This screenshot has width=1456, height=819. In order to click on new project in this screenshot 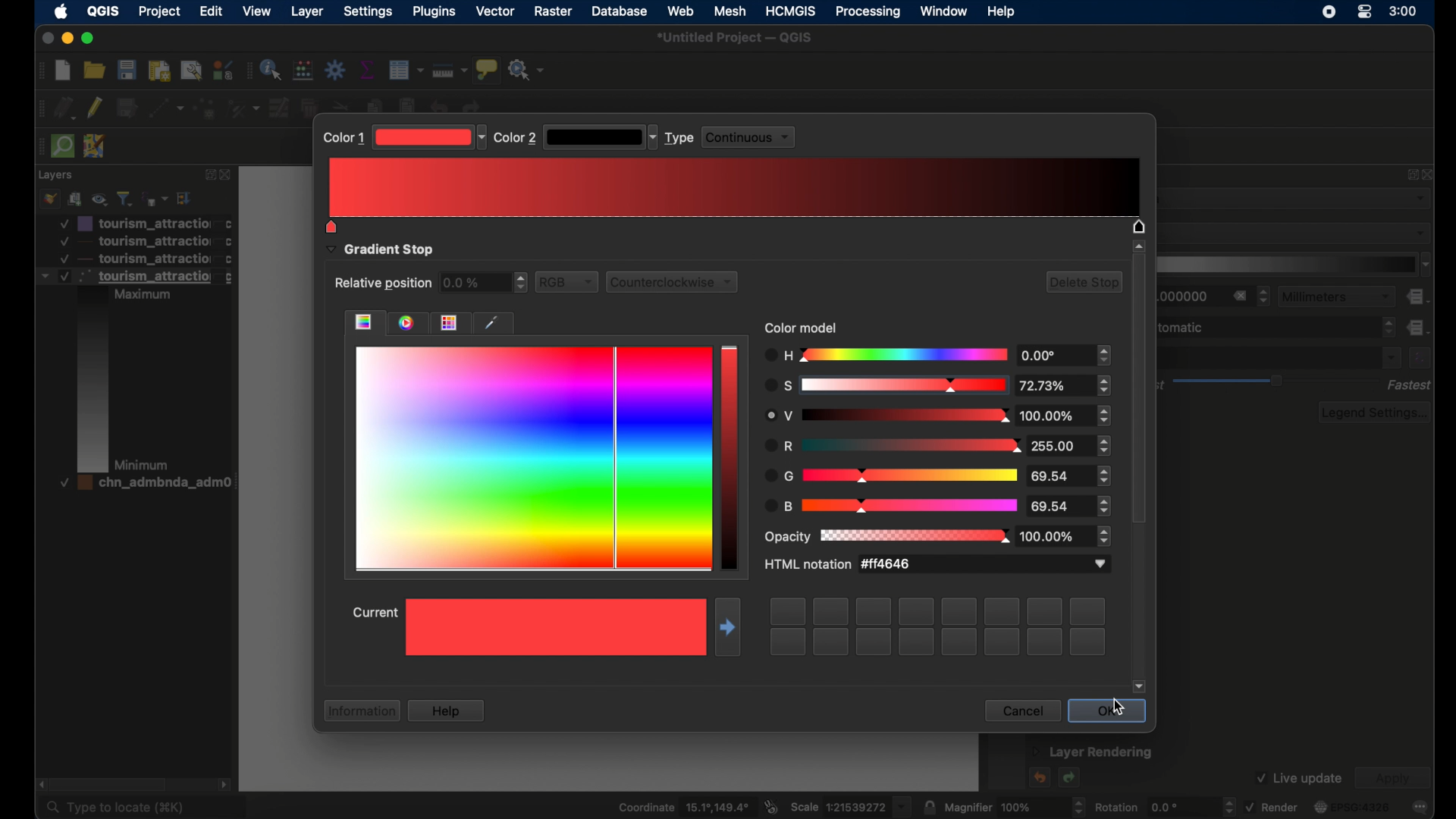, I will do `click(63, 71)`.